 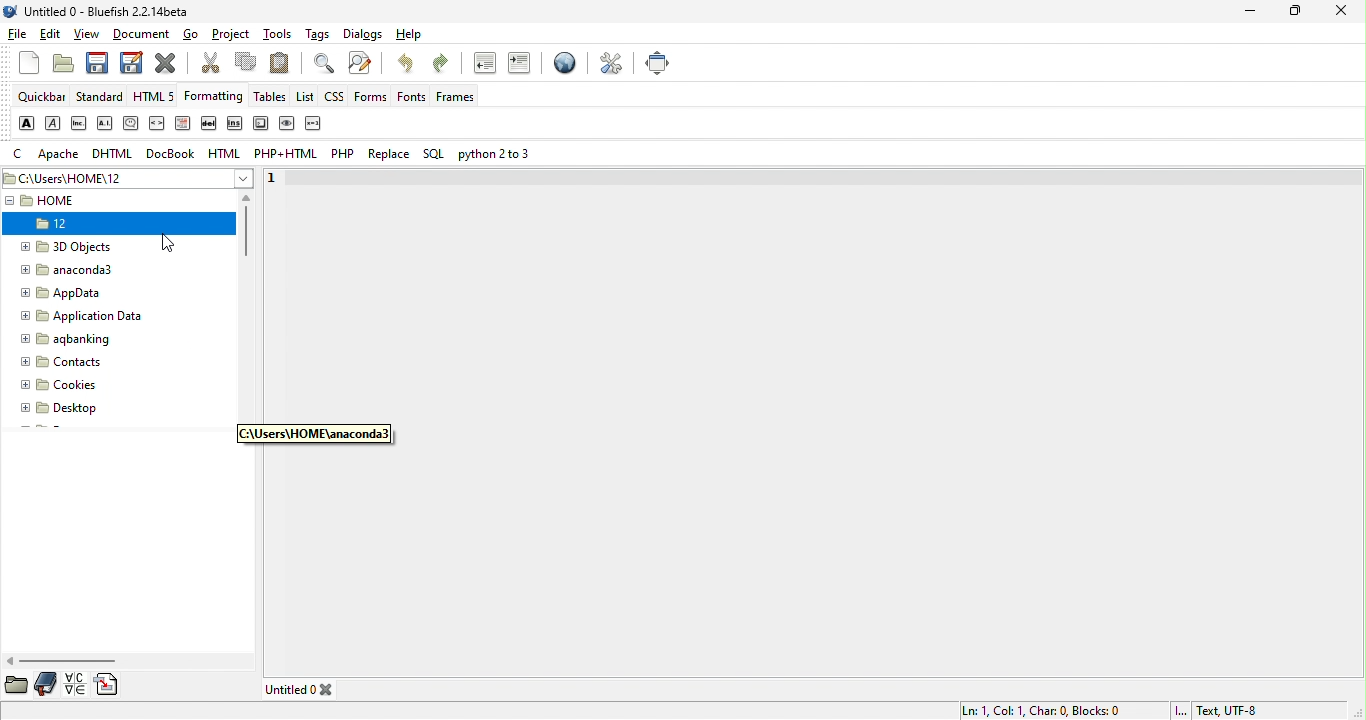 What do you see at coordinates (67, 385) in the screenshot?
I see `cookies` at bounding box center [67, 385].